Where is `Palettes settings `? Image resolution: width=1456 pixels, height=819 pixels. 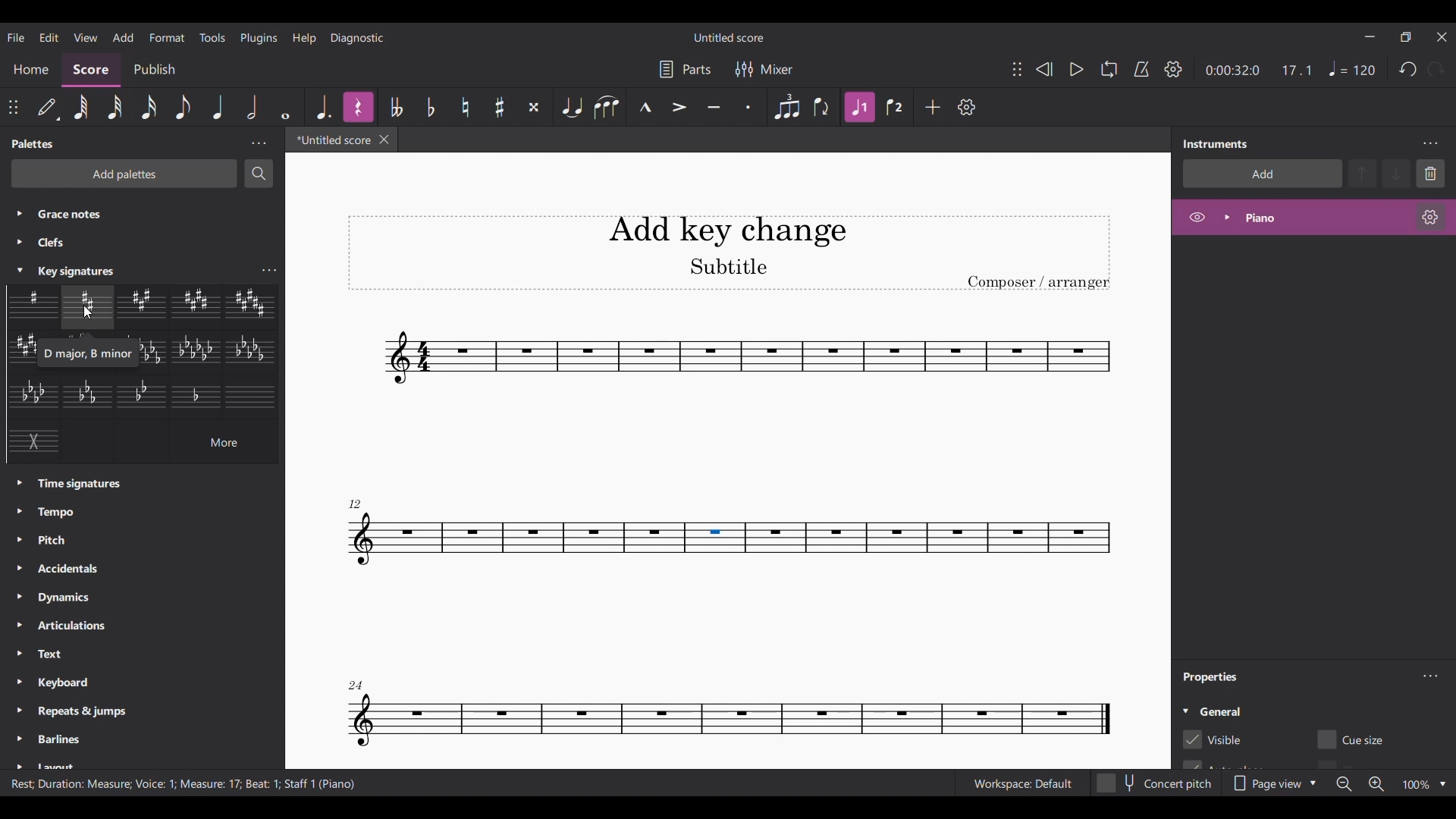
Palettes settings  is located at coordinates (259, 143).